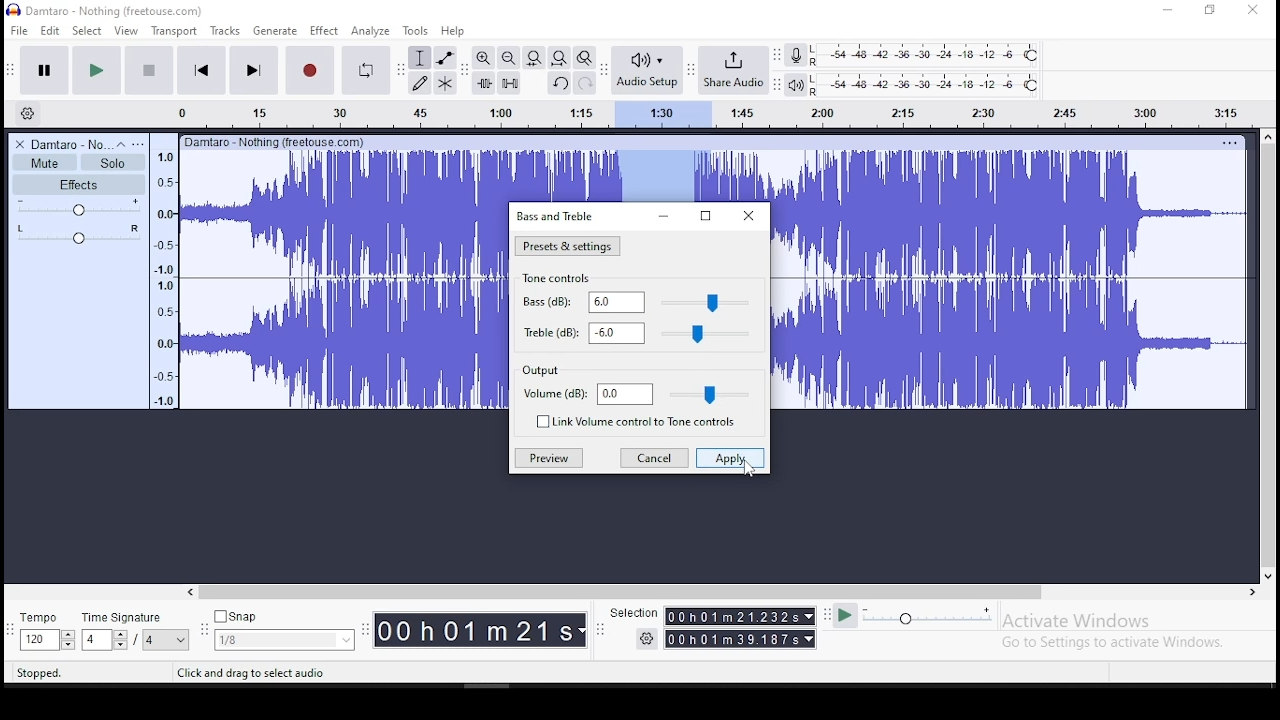  What do you see at coordinates (735, 72) in the screenshot?
I see `share audio` at bounding box center [735, 72].